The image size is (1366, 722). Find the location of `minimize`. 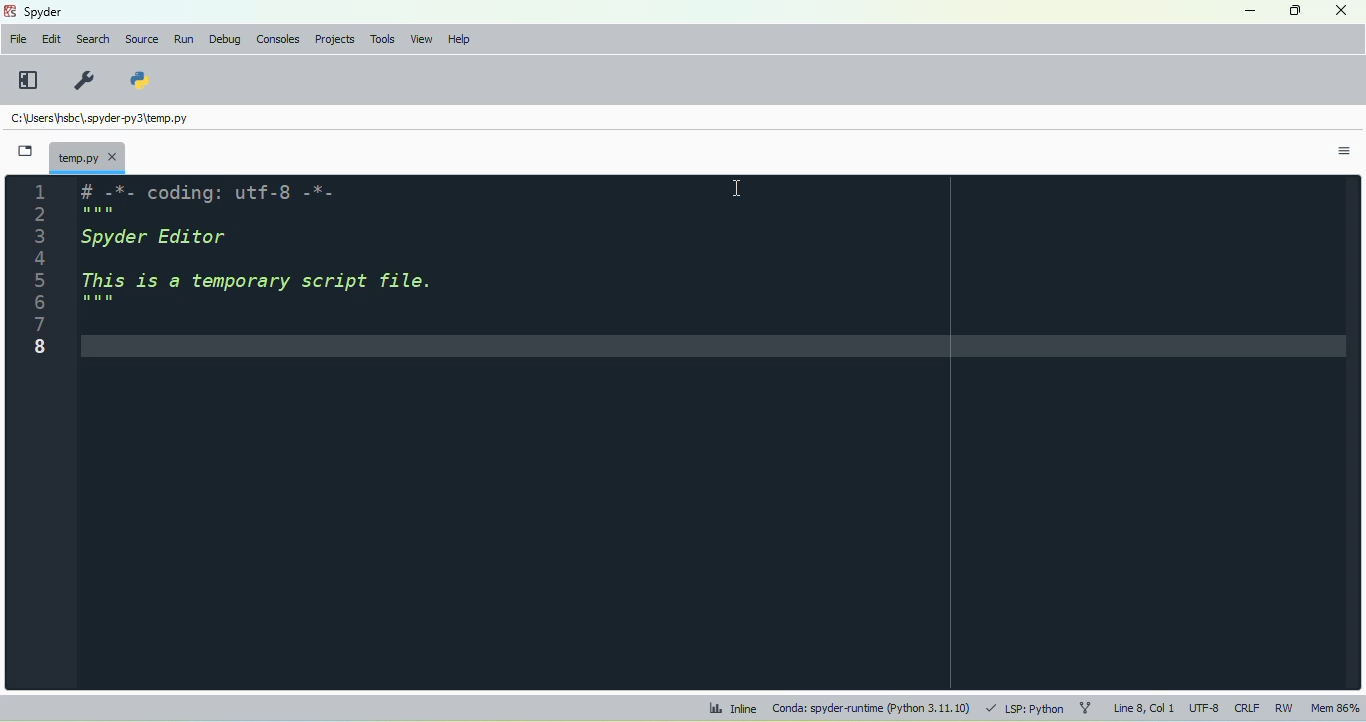

minimize is located at coordinates (1251, 11).